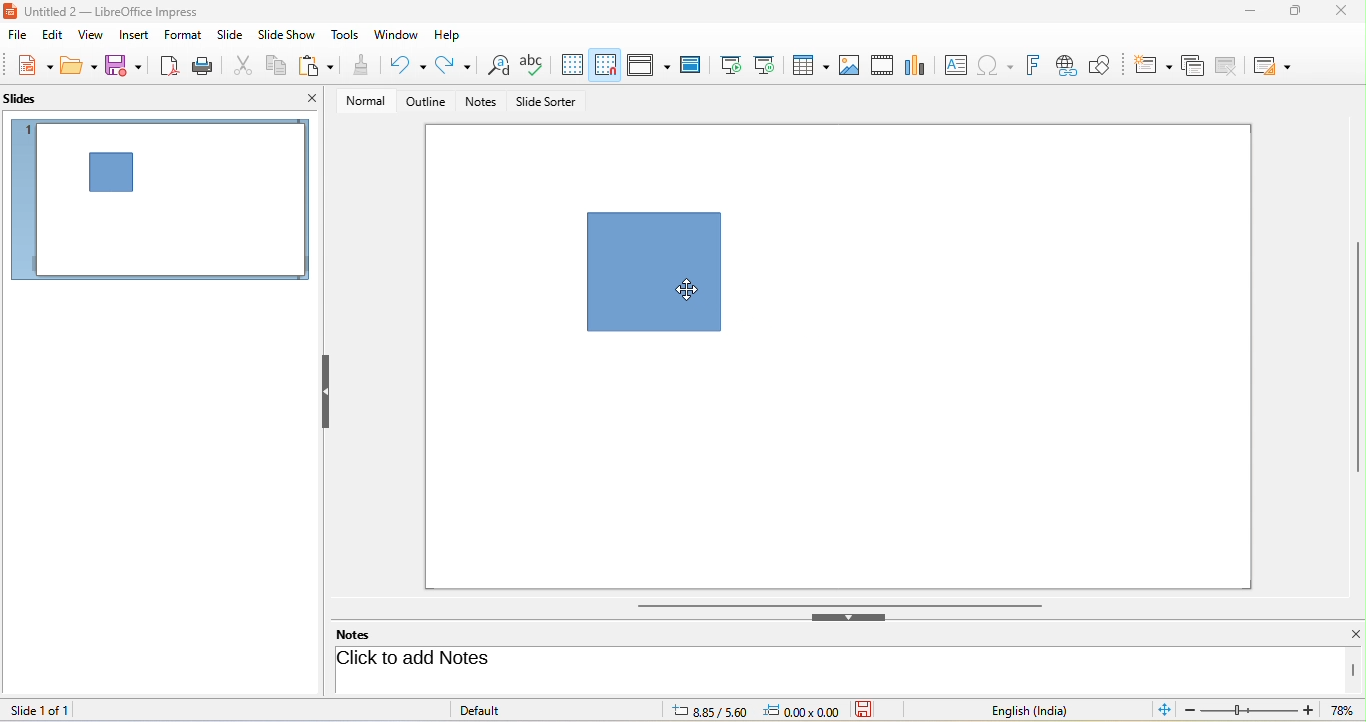 Image resolution: width=1366 pixels, height=722 pixels. What do you see at coordinates (396, 36) in the screenshot?
I see `window` at bounding box center [396, 36].